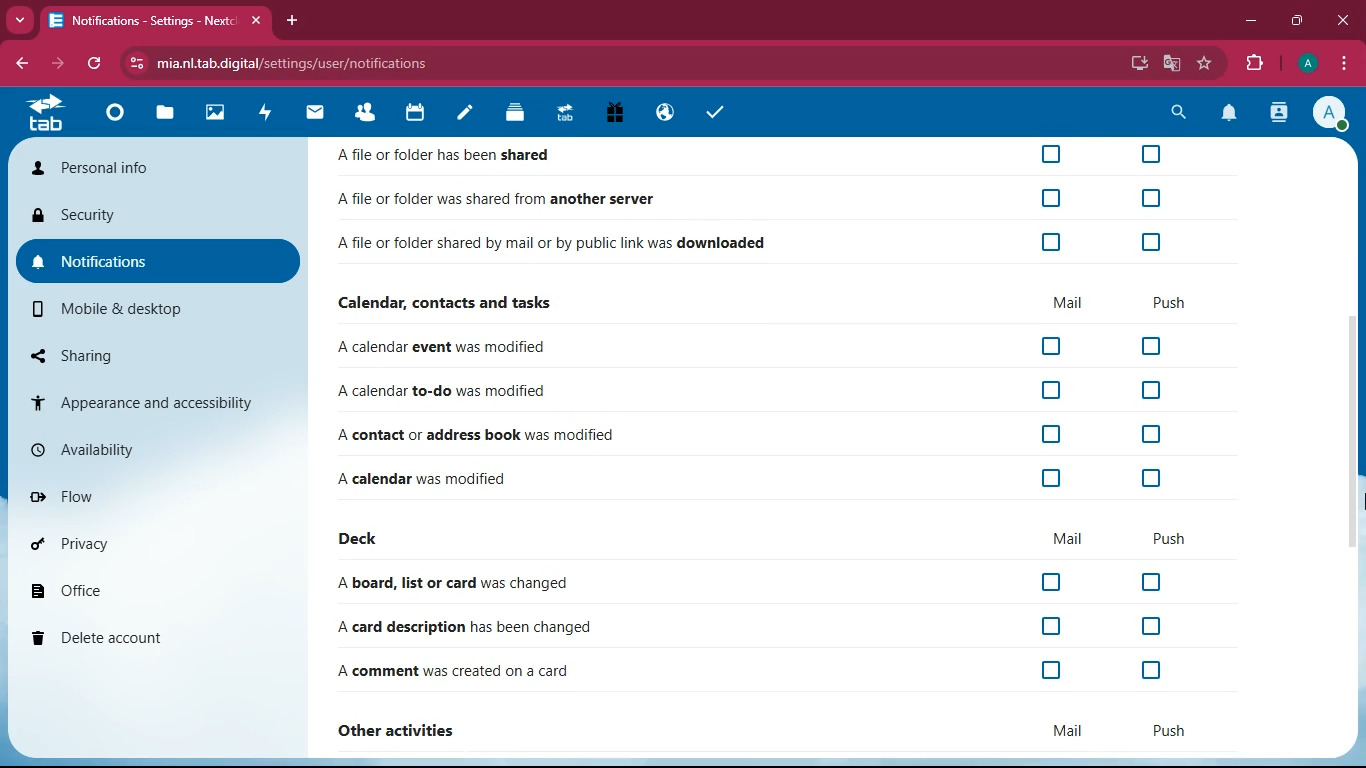  Describe the element at coordinates (718, 112) in the screenshot. I see `tasks` at that location.